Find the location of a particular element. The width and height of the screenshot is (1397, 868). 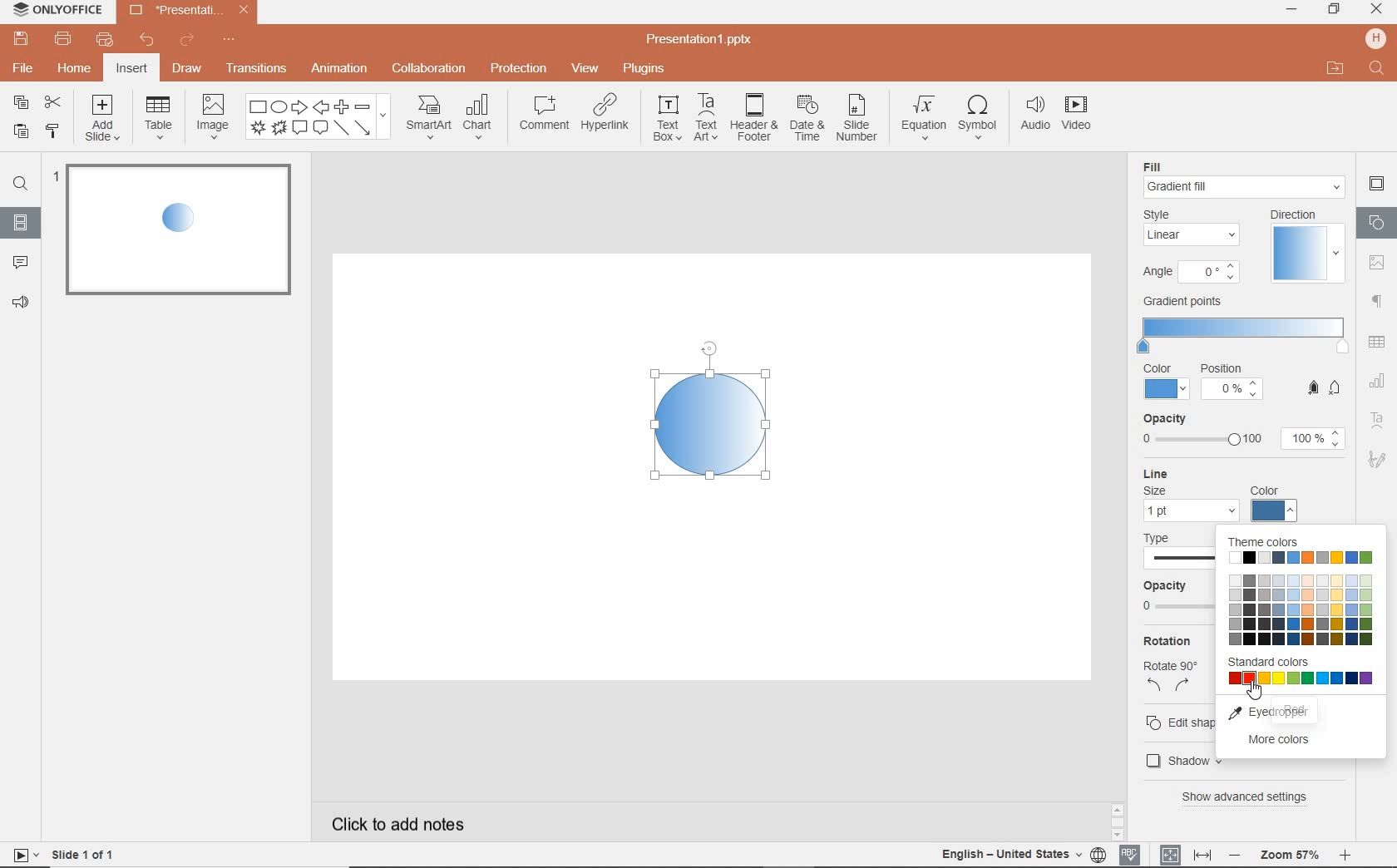

theme colors is located at coordinates (1262, 541).